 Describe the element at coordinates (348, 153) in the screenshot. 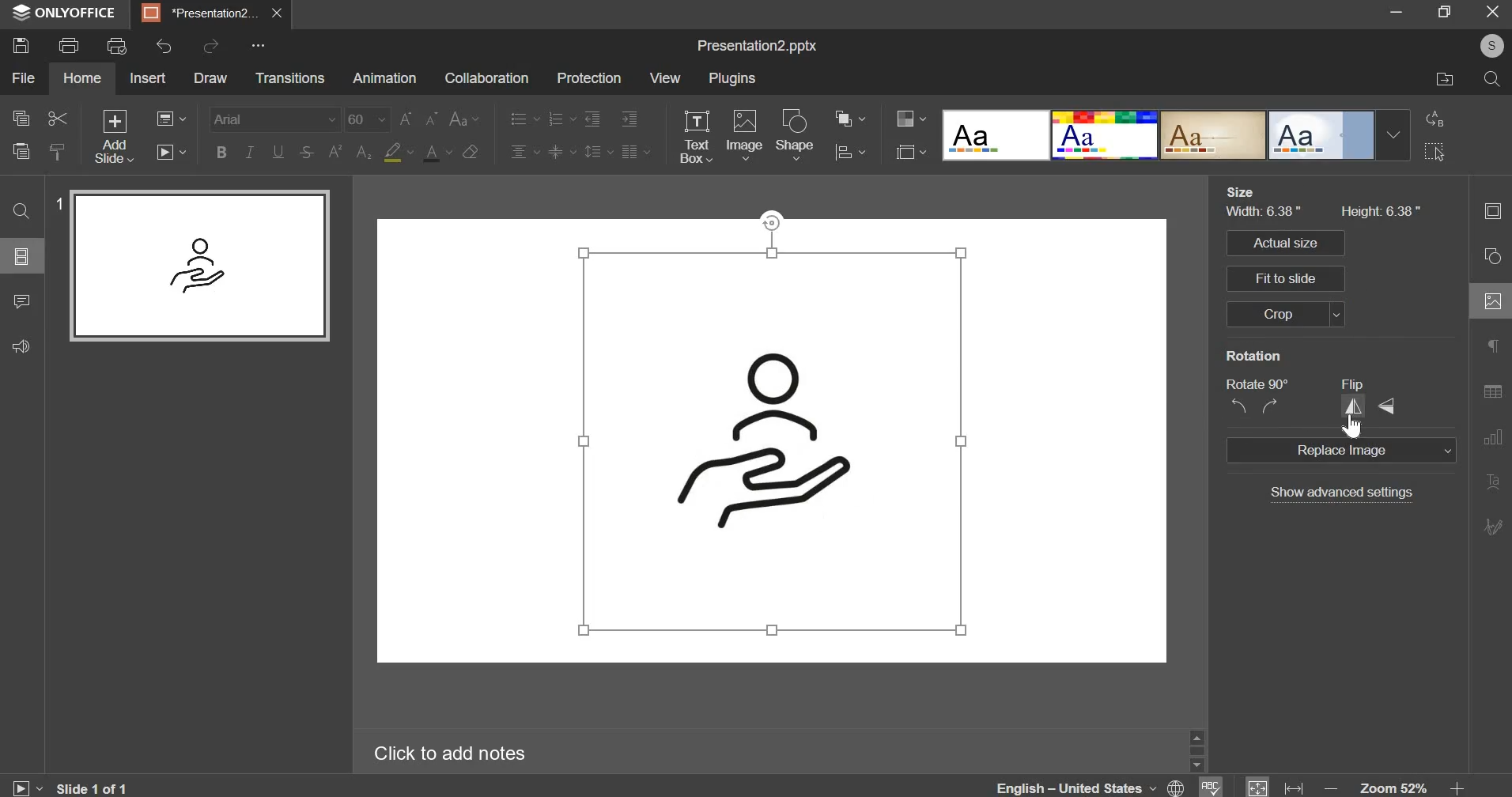

I see `subscript & superscript` at that location.